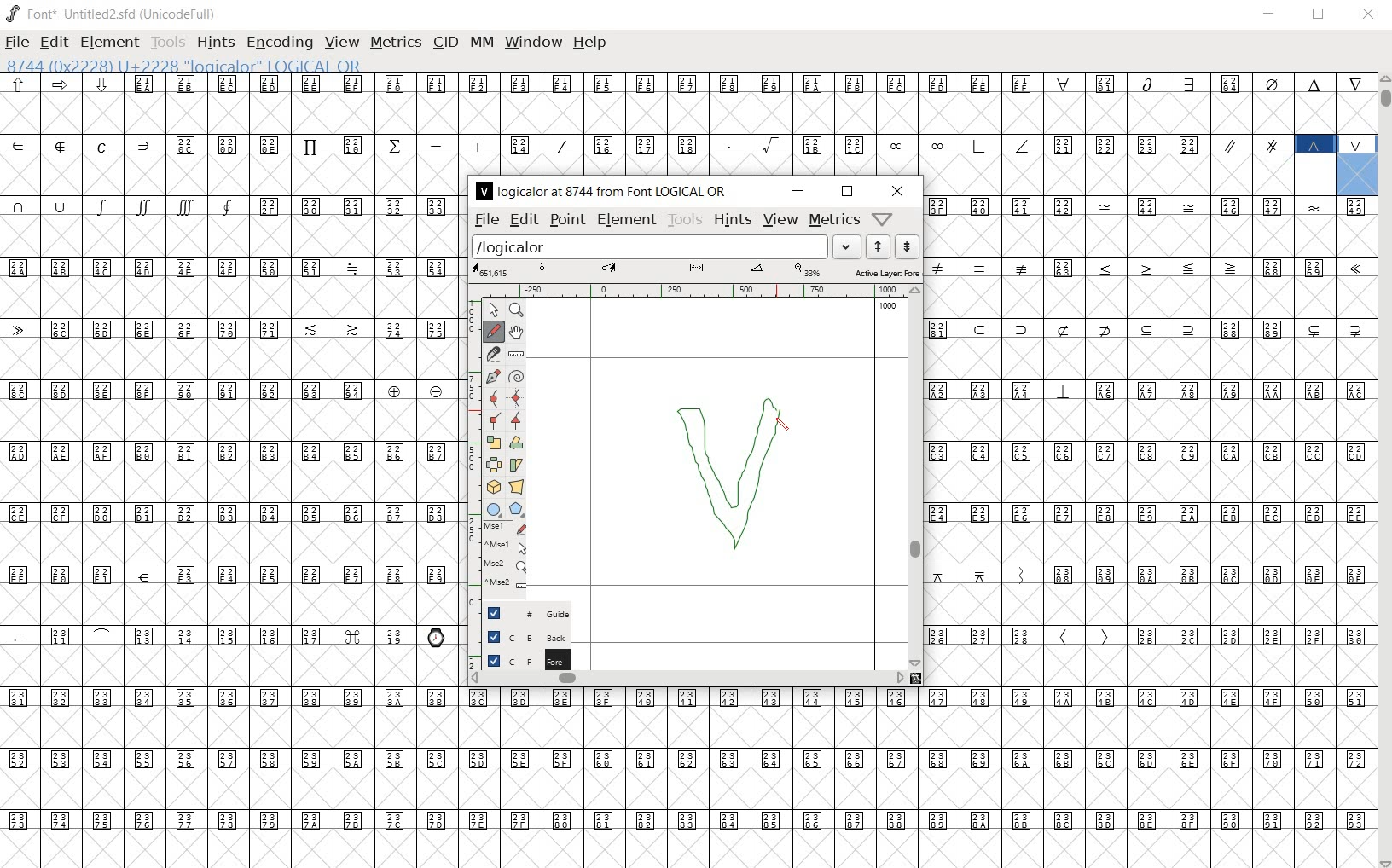 The width and height of the screenshot is (1392, 868). I want to click on file, so click(485, 219).